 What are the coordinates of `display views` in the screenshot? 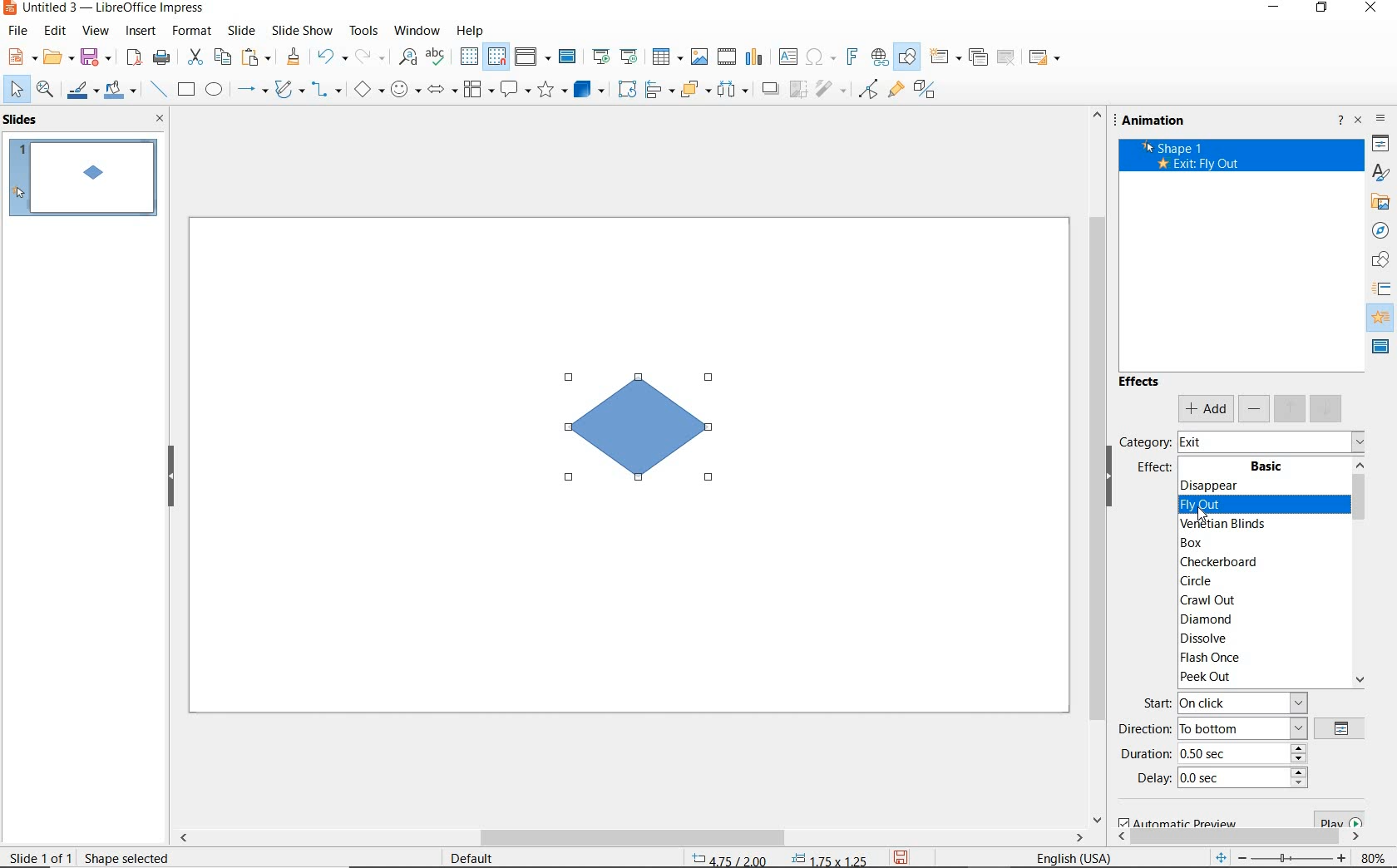 It's located at (531, 57).